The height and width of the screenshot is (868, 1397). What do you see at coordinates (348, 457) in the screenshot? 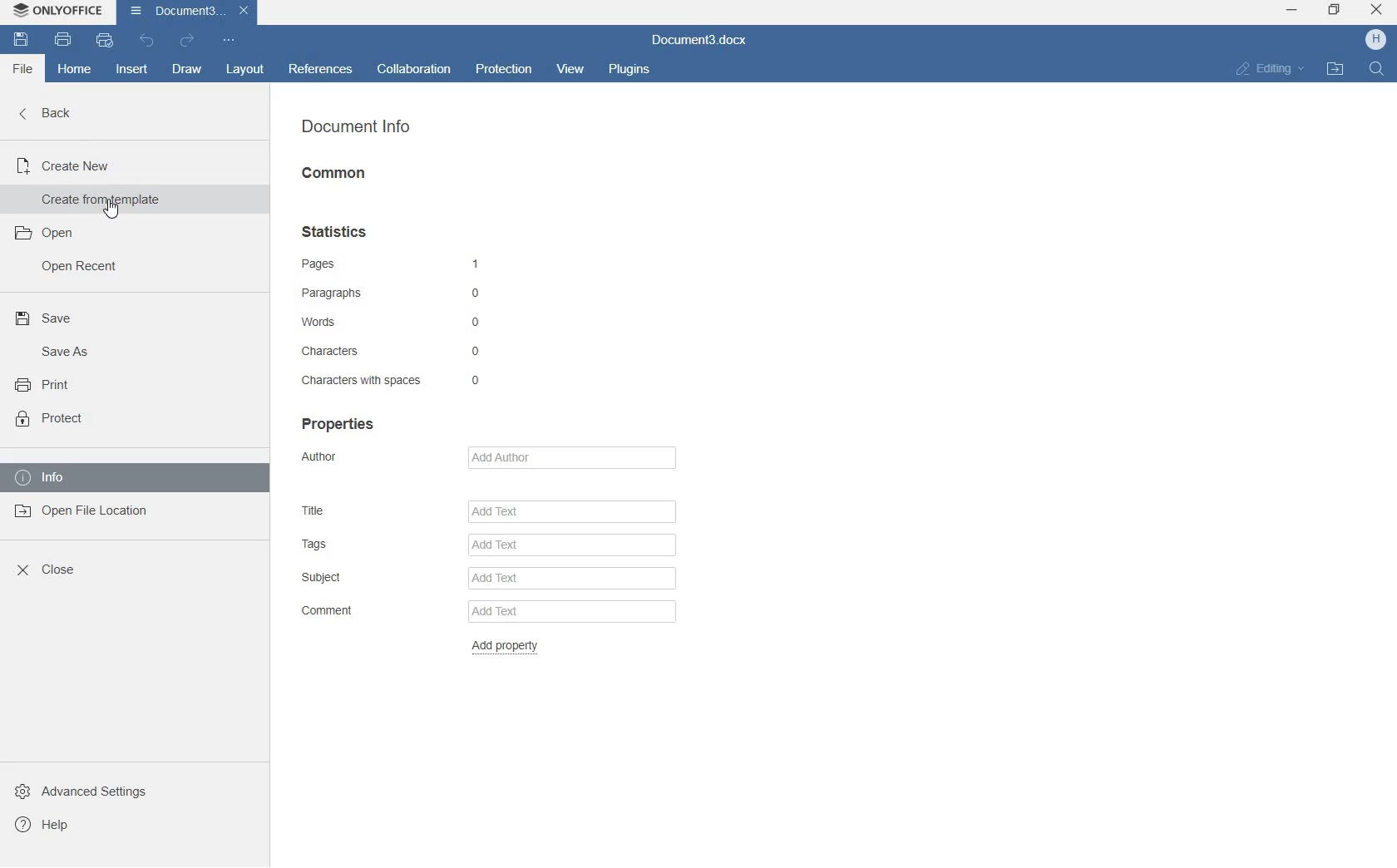
I see `author` at bounding box center [348, 457].